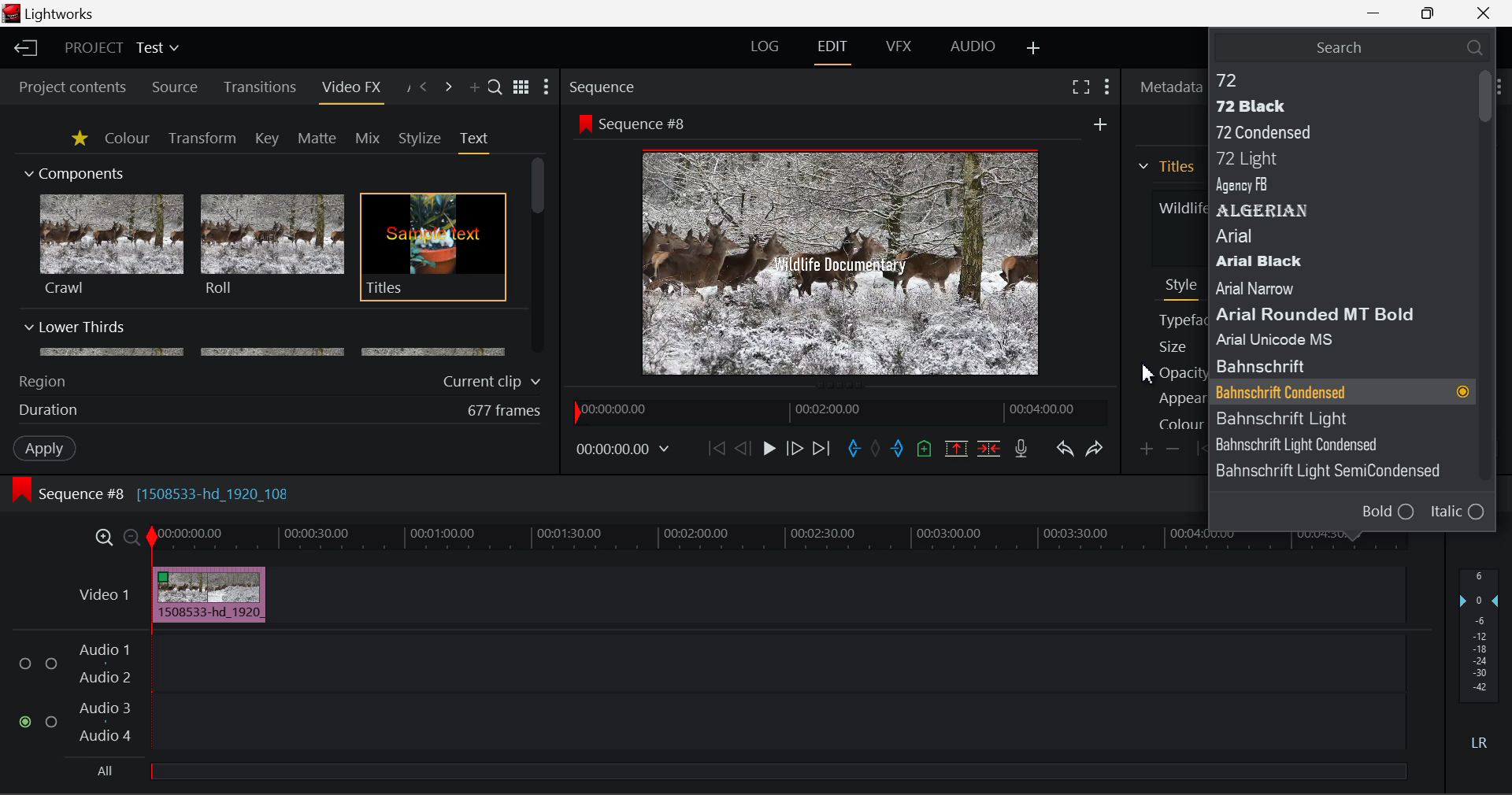 This screenshot has height=795, width=1512. I want to click on Back to Homepage, so click(24, 49).